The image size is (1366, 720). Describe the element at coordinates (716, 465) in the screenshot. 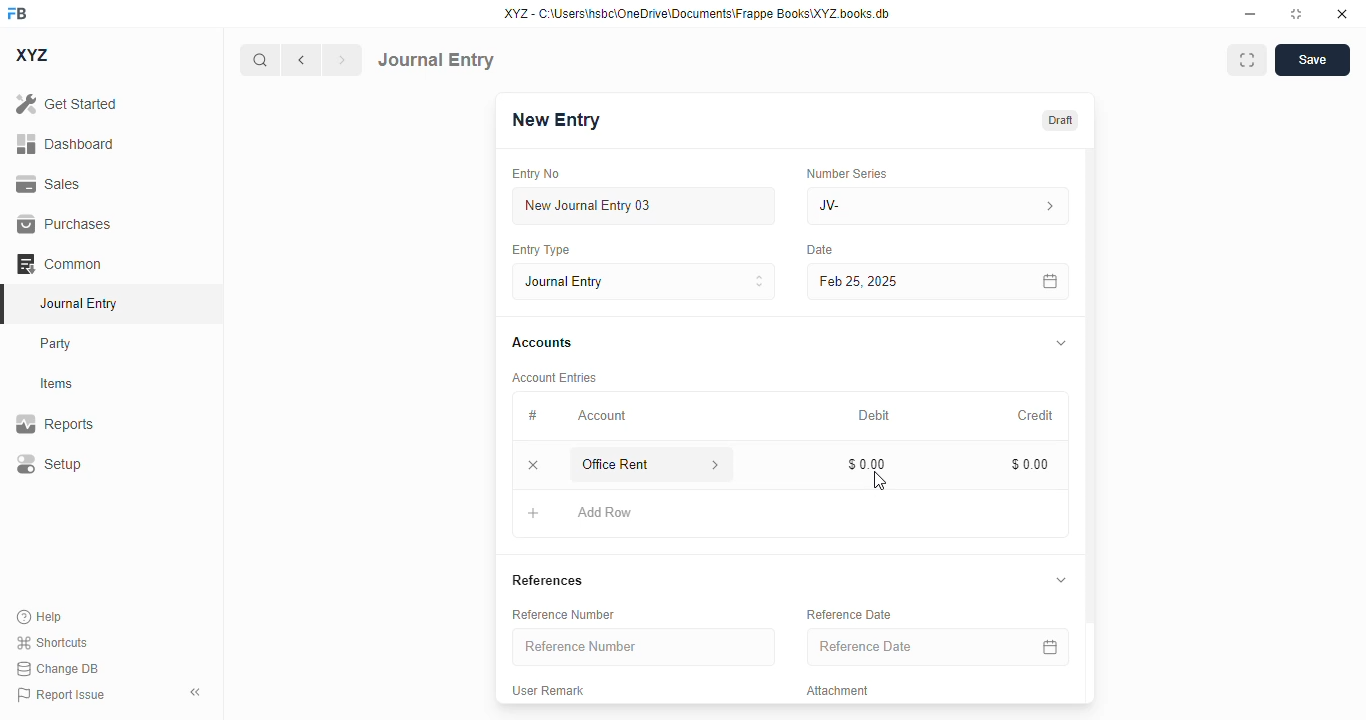

I see `account information` at that location.